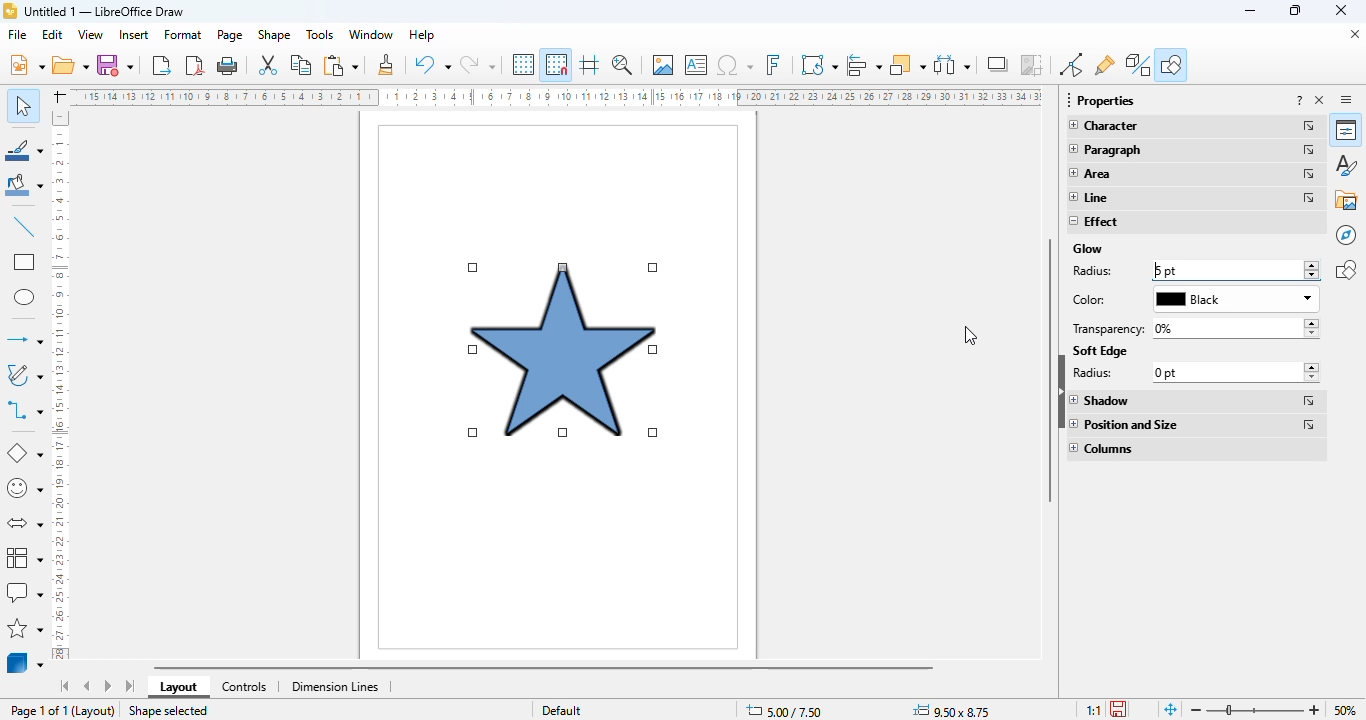 Image resolution: width=1366 pixels, height=720 pixels. Describe the element at coordinates (1171, 64) in the screenshot. I see `show draw functions` at that location.